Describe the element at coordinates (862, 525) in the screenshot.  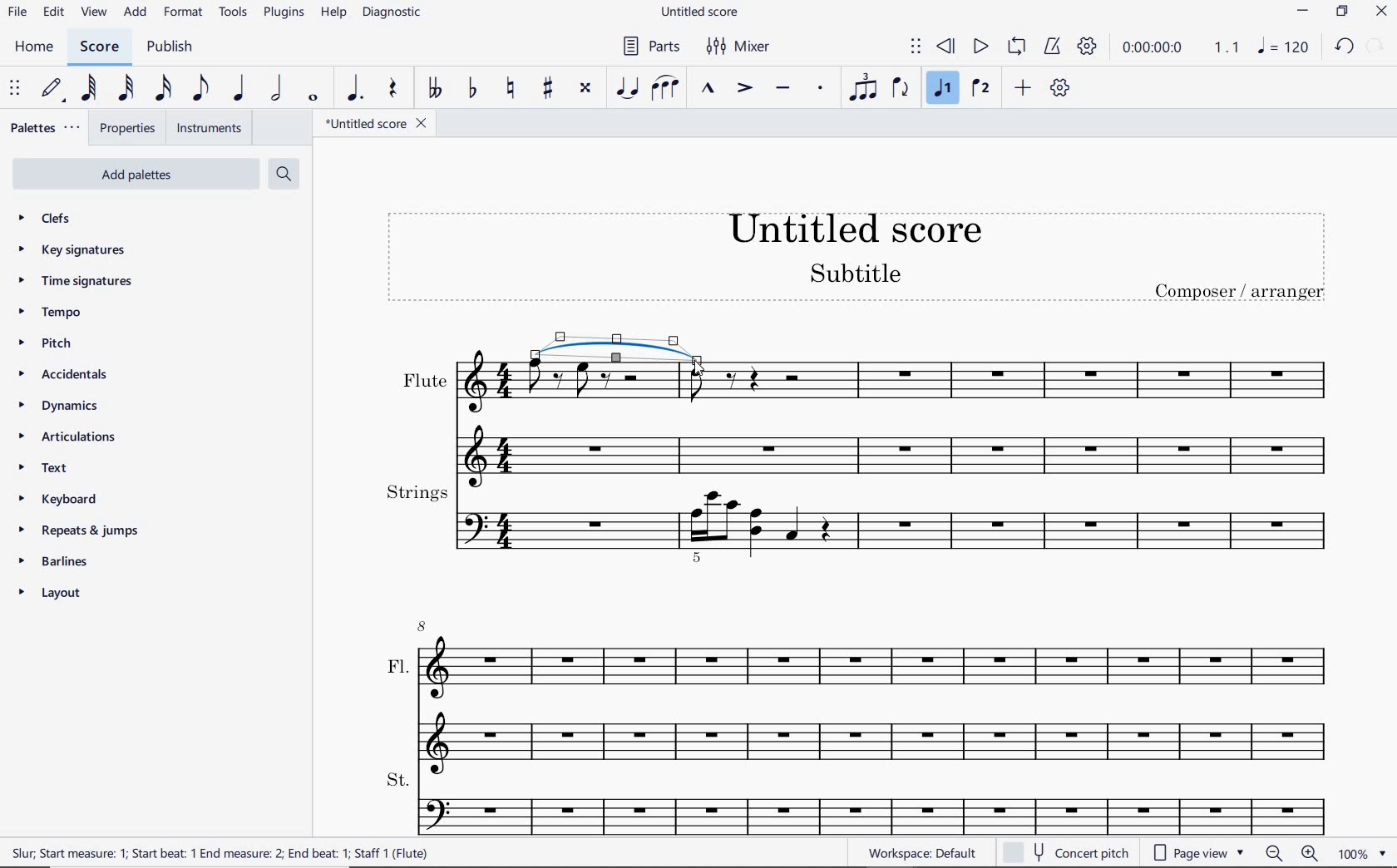
I see `Strings` at that location.